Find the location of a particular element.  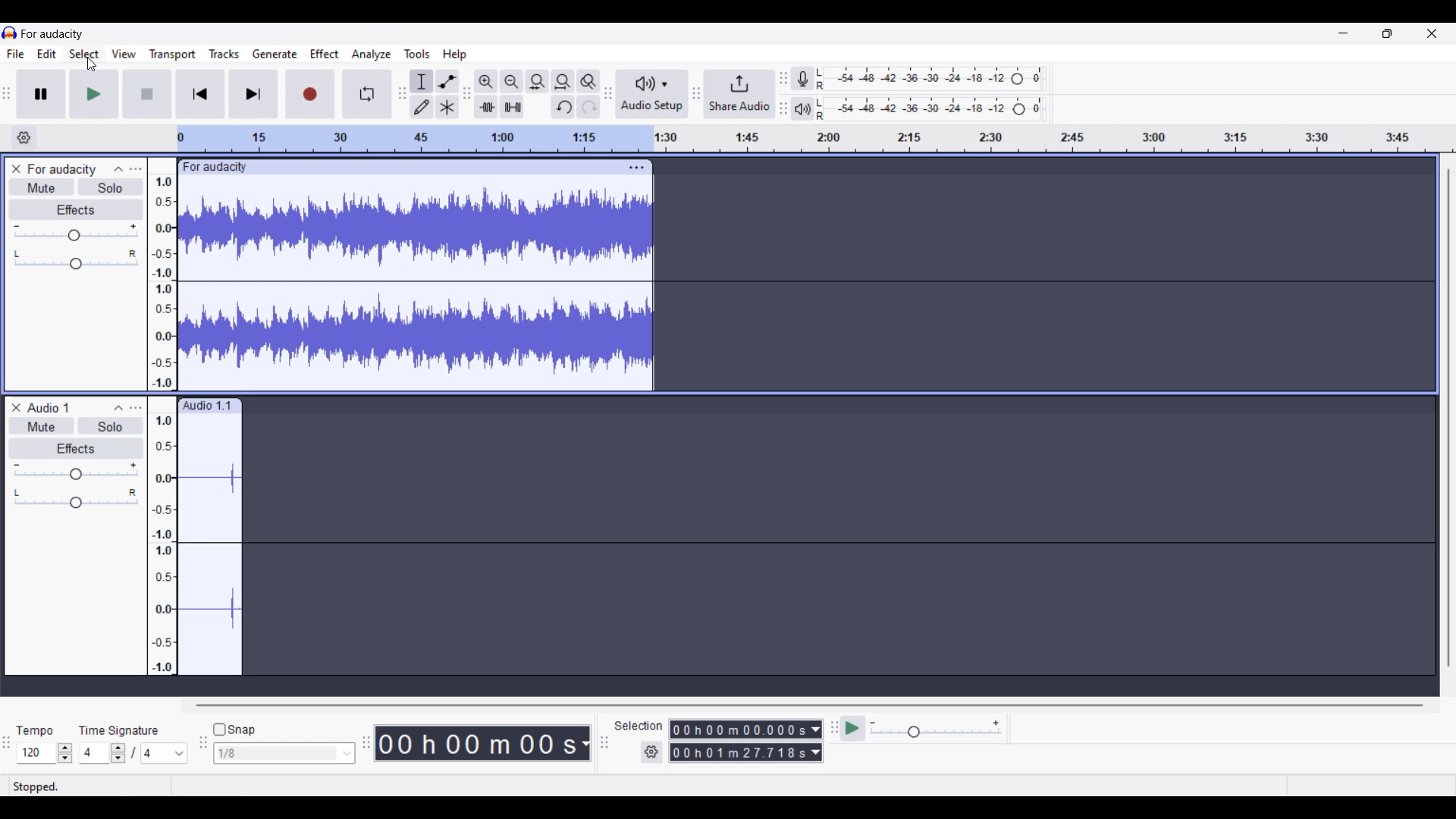

Transport is located at coordinates (172, 54).